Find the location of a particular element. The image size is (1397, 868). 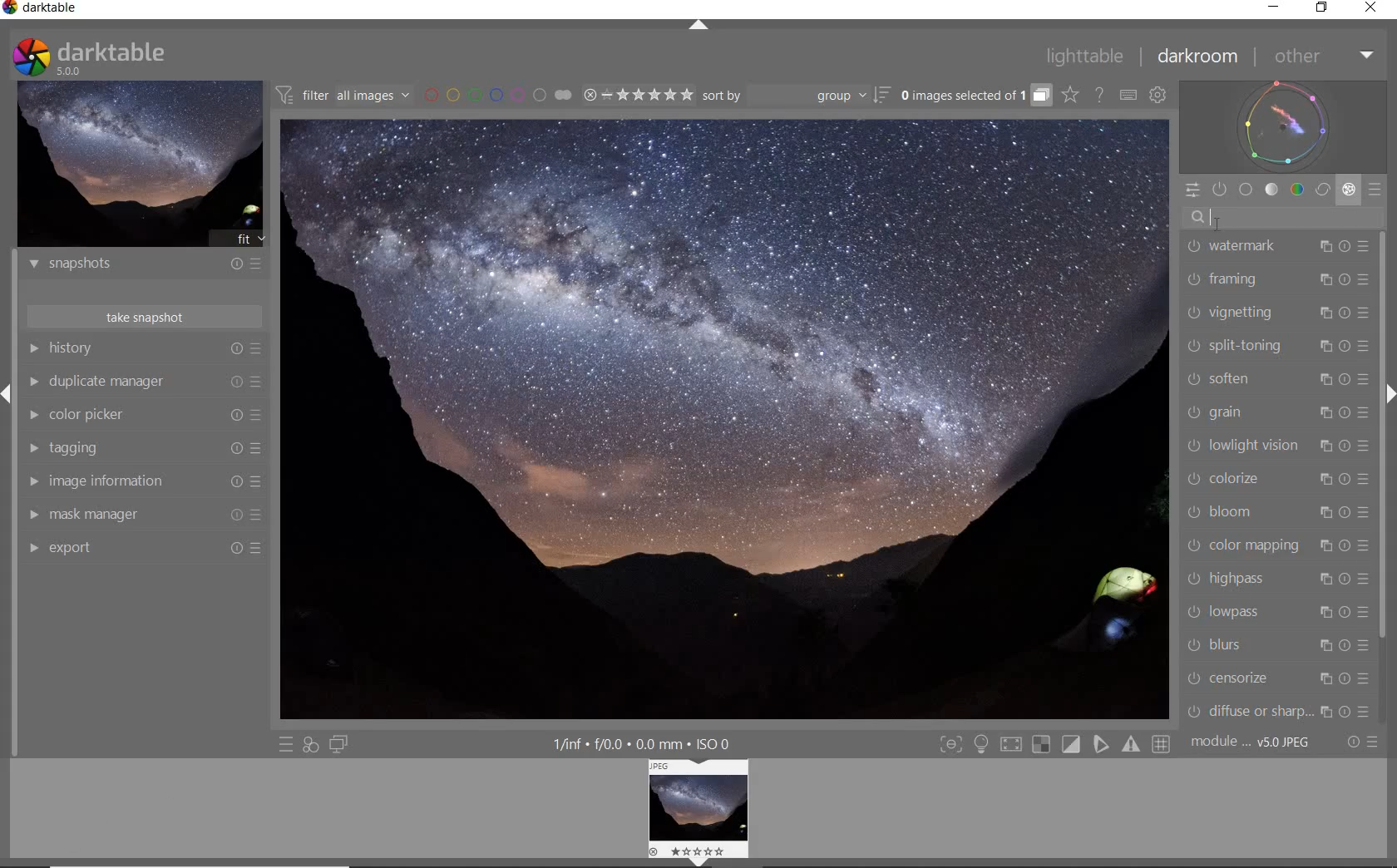

MODULE...v5.0 JPEG is located at coordinates (1256, 743).